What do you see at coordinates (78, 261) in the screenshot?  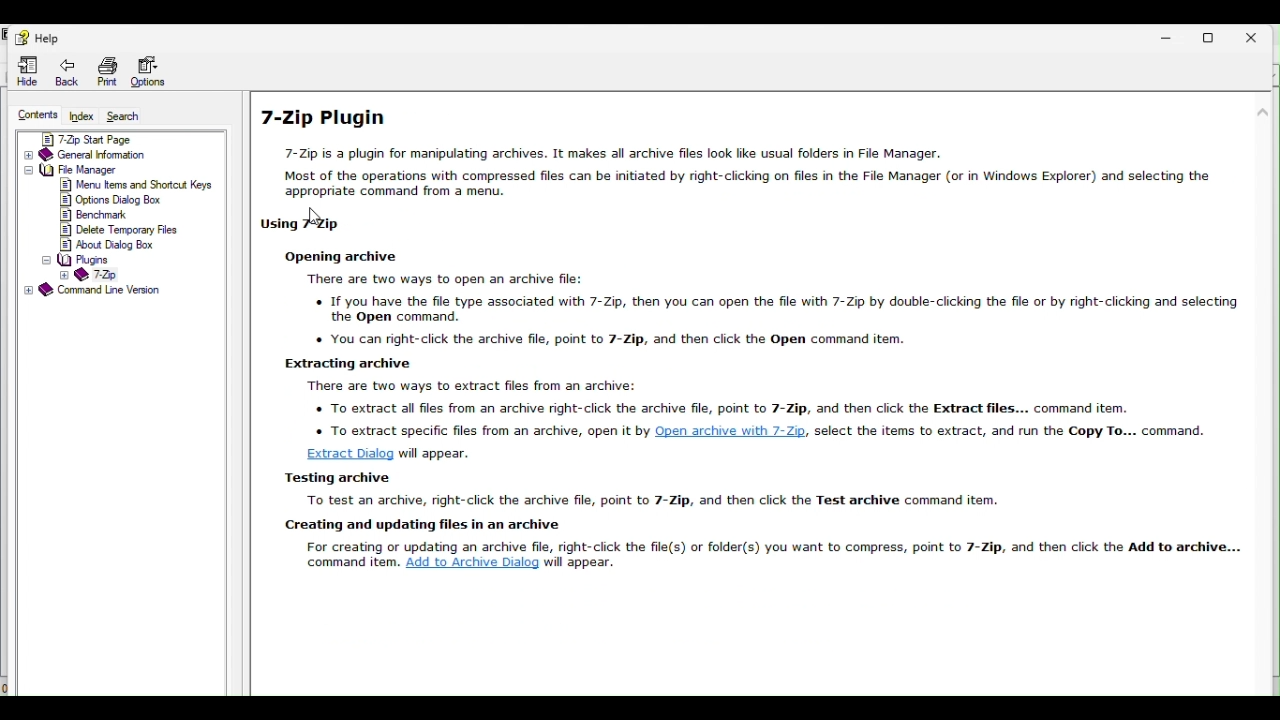 I see `plugins` at bounding box center [78, 261].